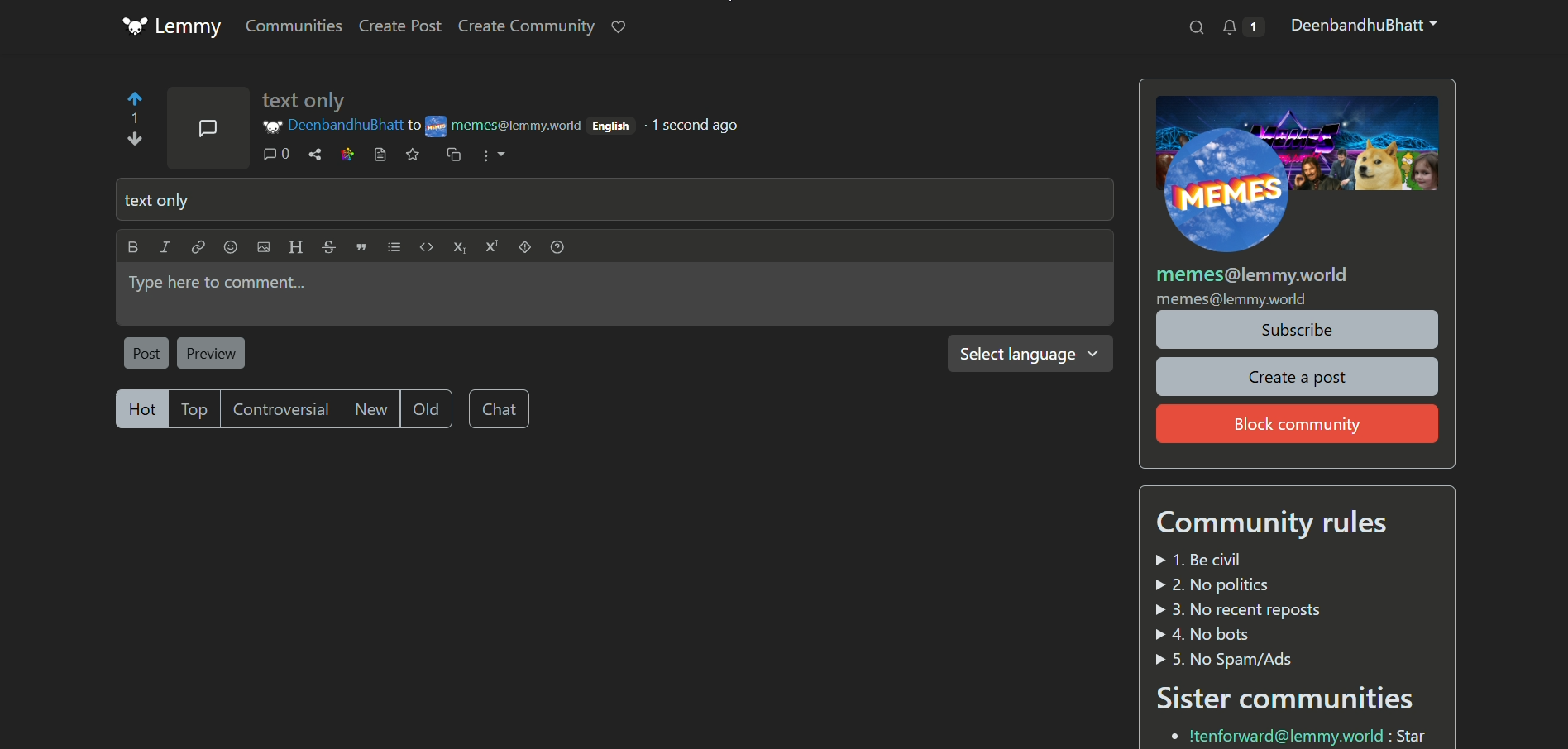 The width and height of the screenshot is (1568, 749). What do you see at coordinates (211, 128) in the screenshot?
I see `message` at bounding box center [211, 128].